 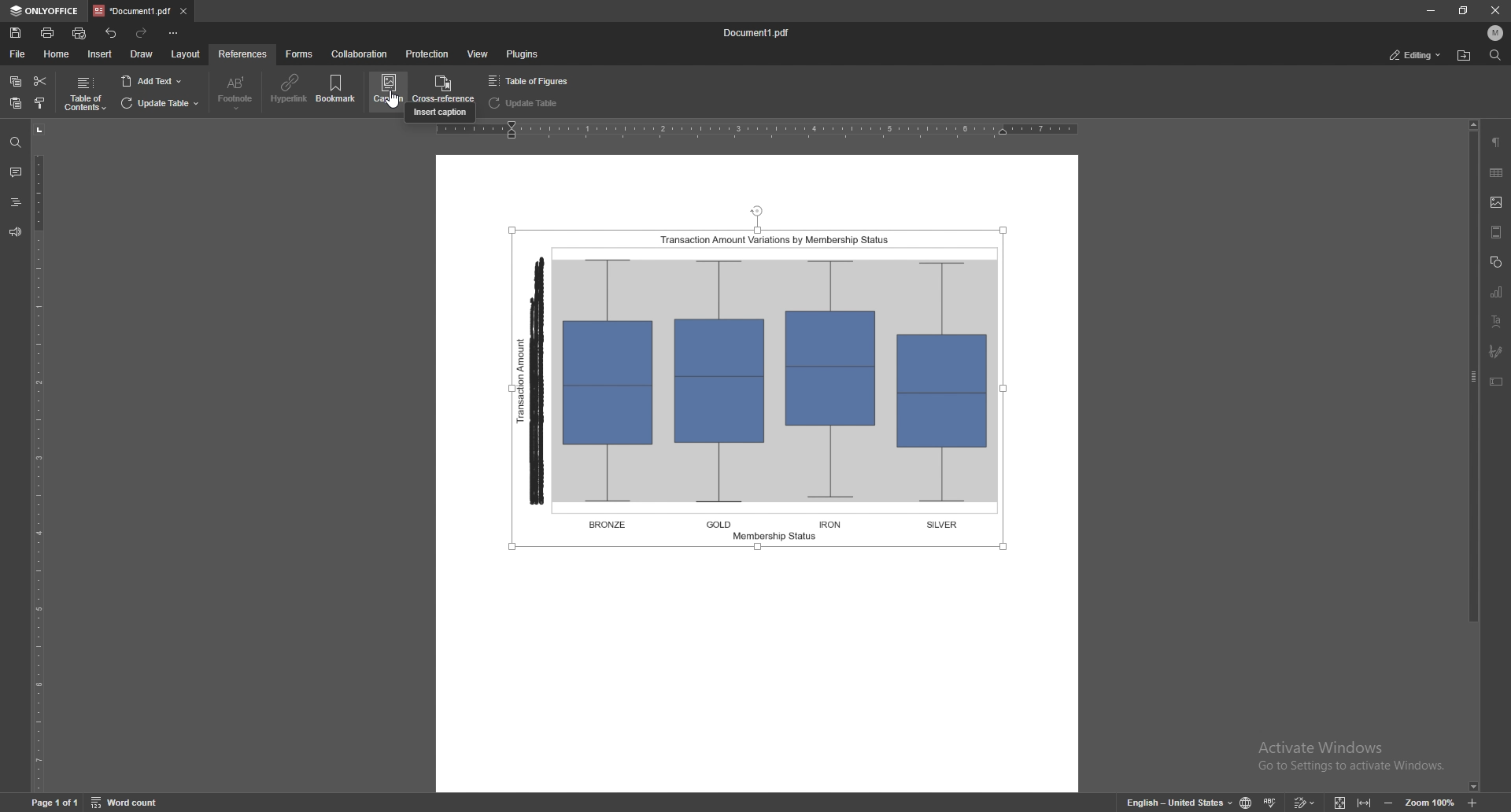 I want to click on fit to width, so click(x=1365, y=802).